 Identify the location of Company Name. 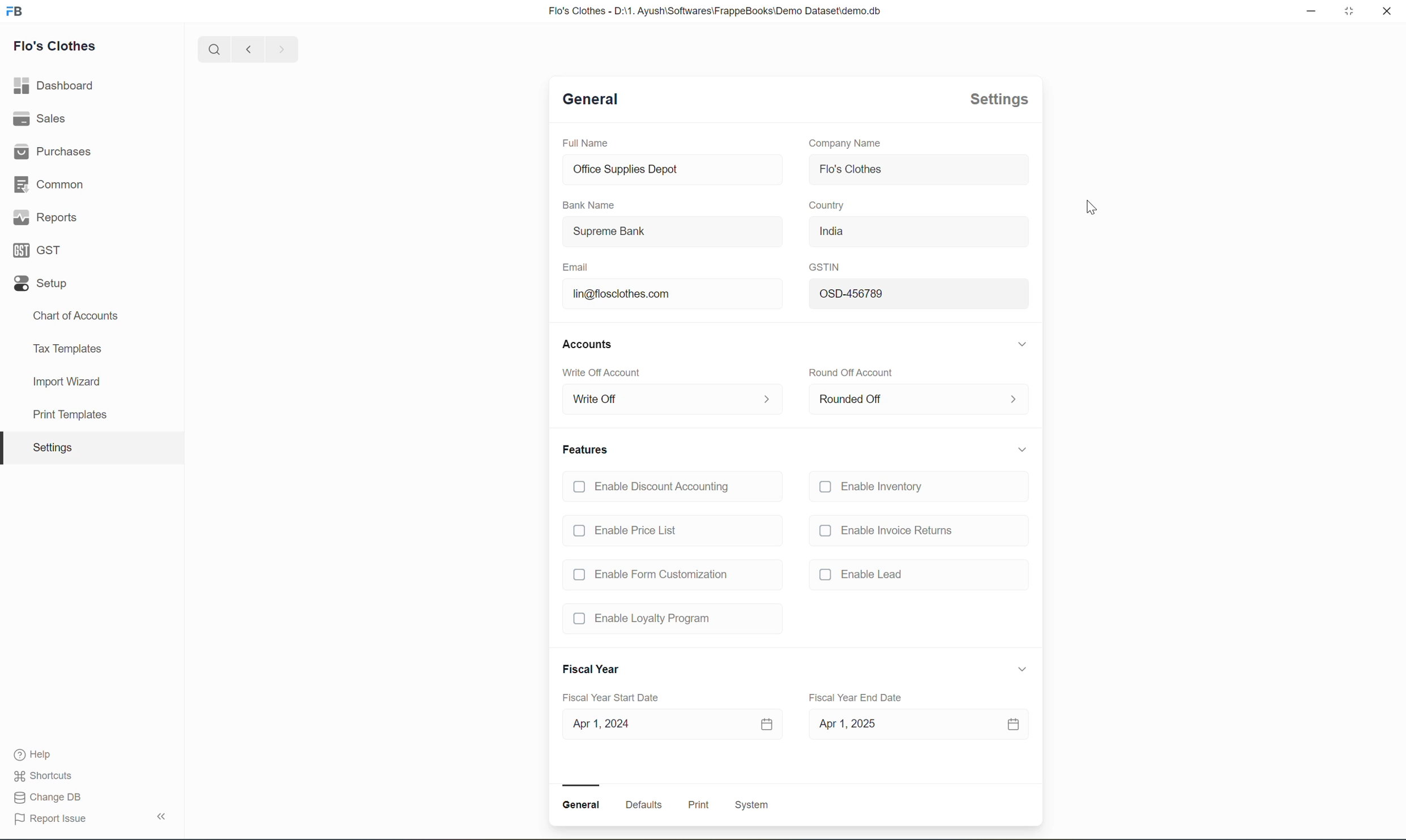
(845, 144).